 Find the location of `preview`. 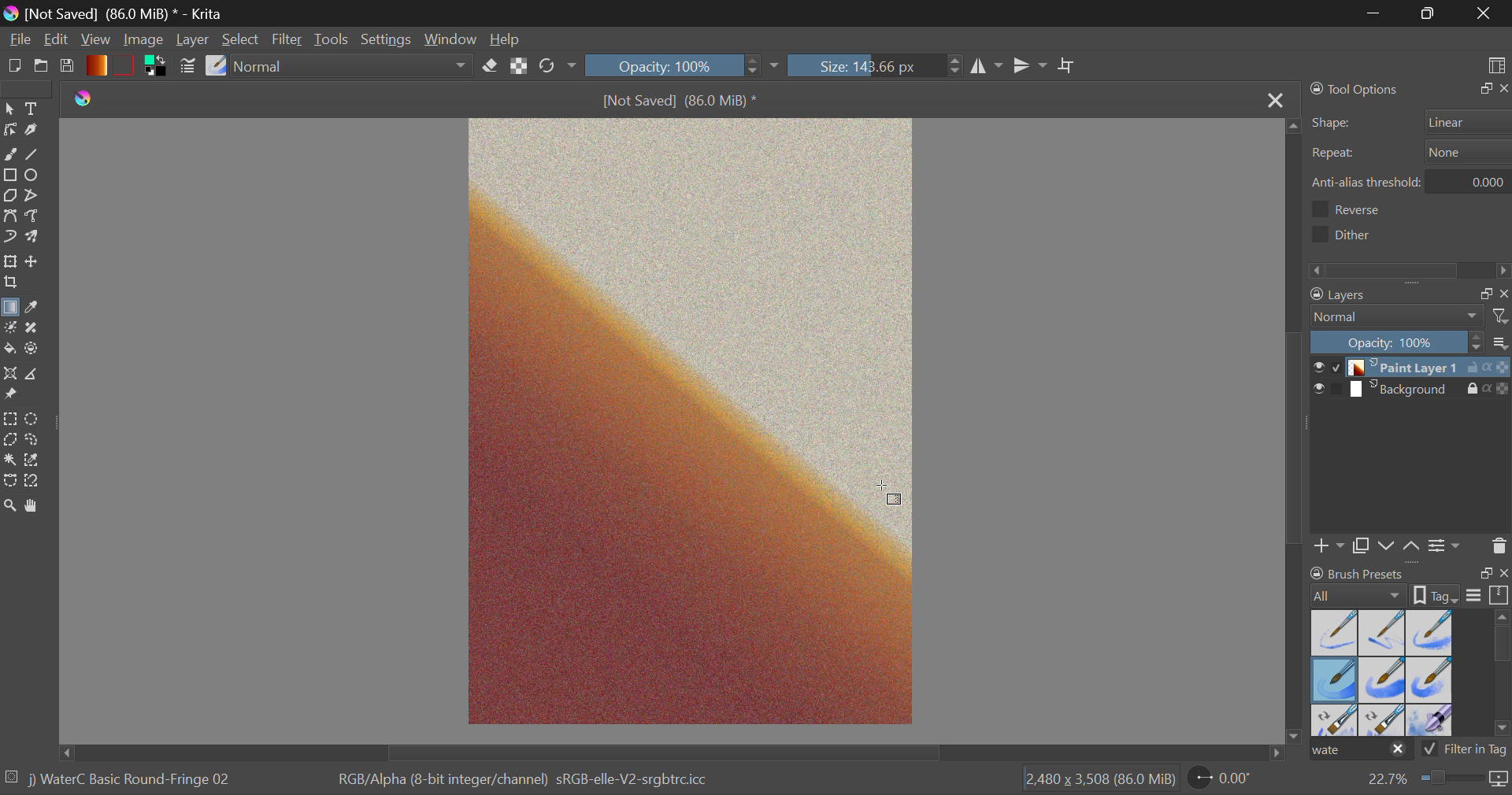

preview is located at coordinates (1316, 368).